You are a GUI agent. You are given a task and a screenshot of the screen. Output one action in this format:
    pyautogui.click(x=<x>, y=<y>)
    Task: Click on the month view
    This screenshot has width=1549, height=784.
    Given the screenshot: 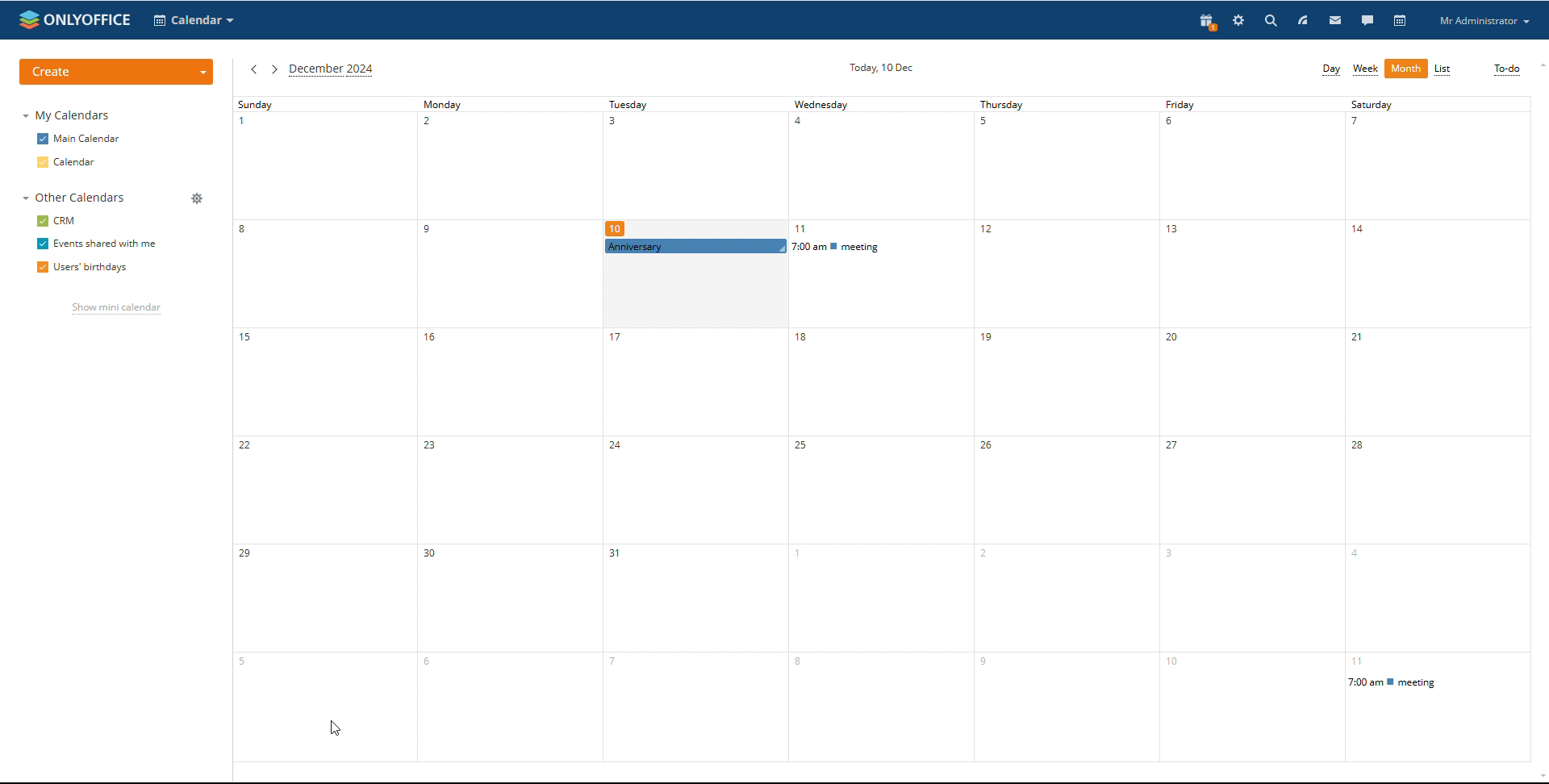 What is the action you would take?
    pyautogui.click(x=1407, y=69)
    